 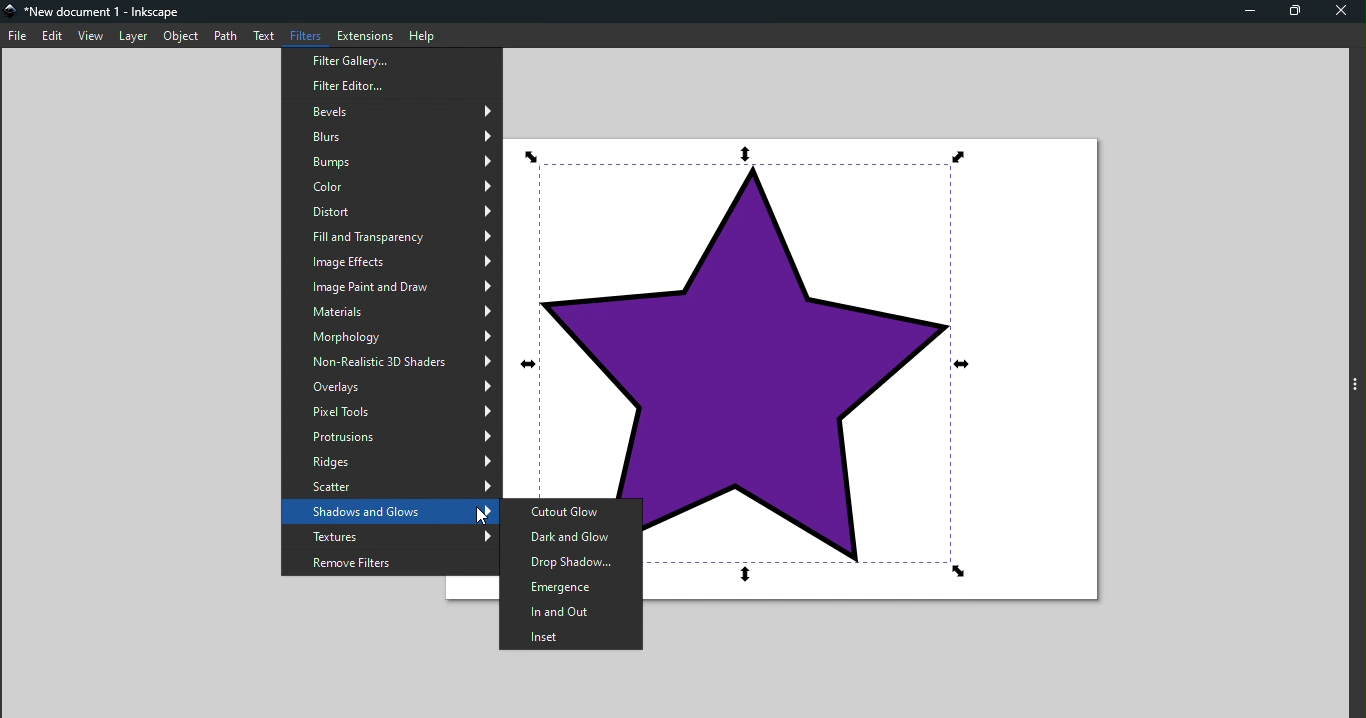 I want to click on Shadows and glows, so click(x=391, y=511).